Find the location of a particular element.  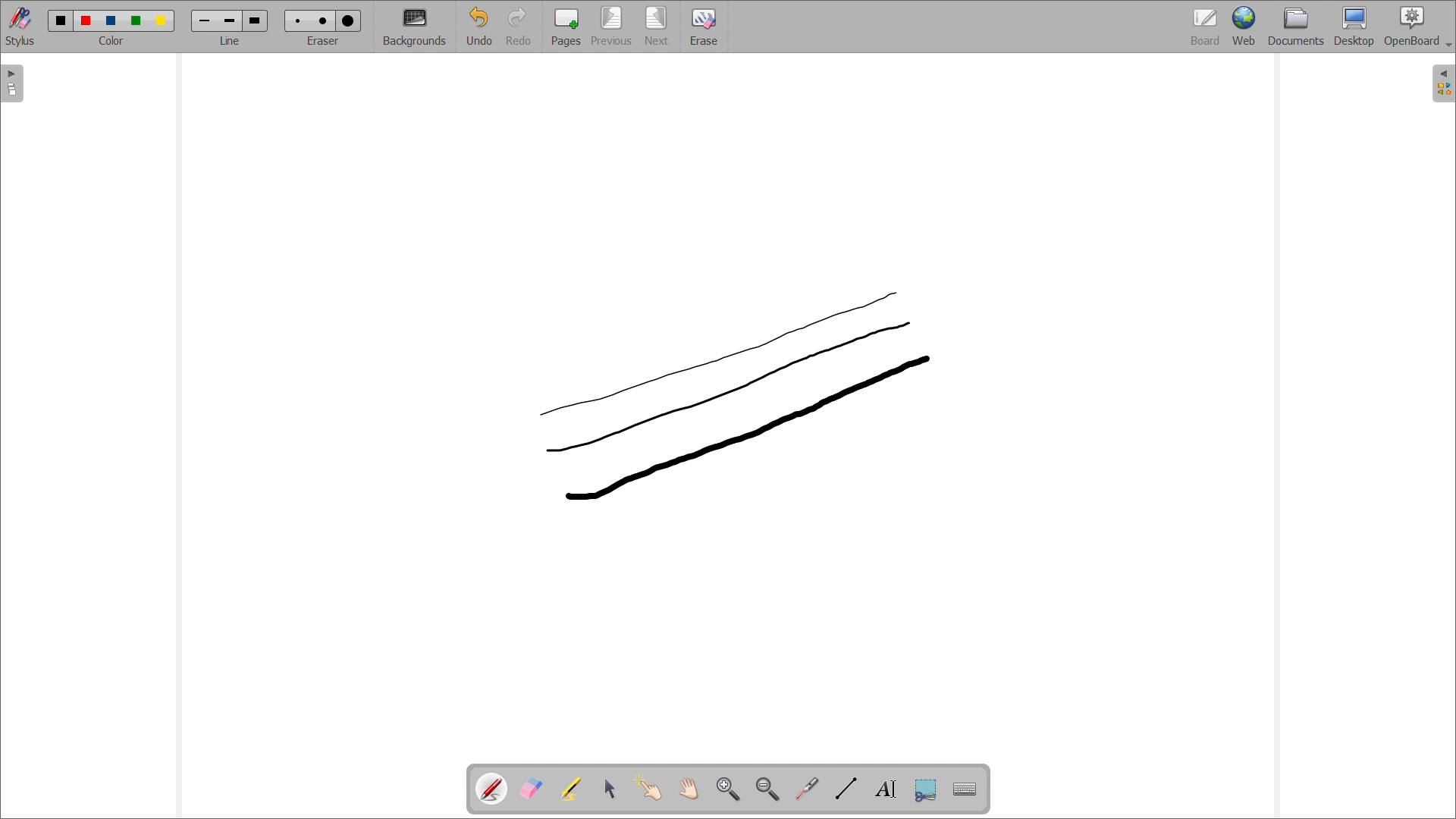

color is located at coordinates (61, 20).